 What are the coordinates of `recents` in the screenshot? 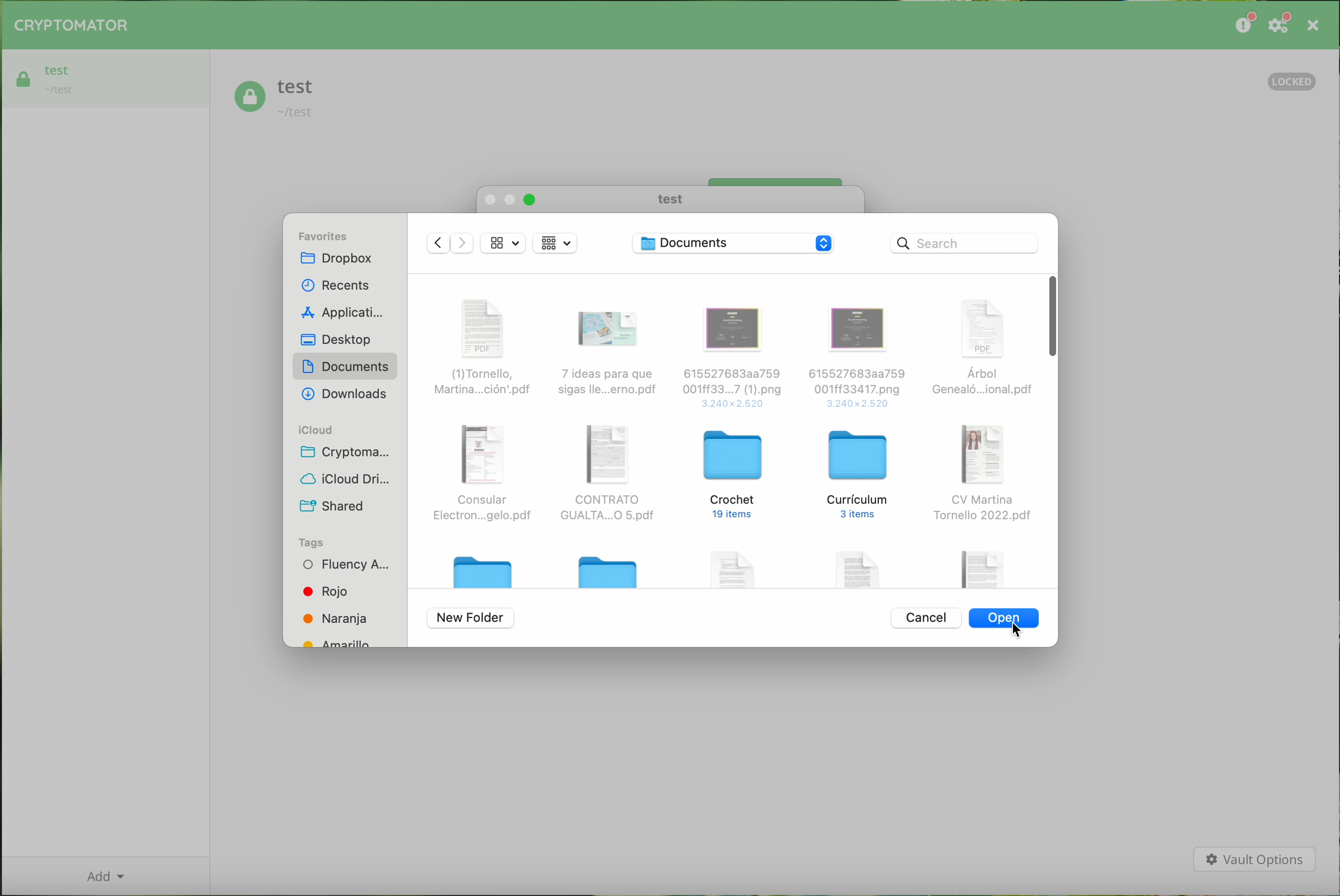 It's located at (336, 282).